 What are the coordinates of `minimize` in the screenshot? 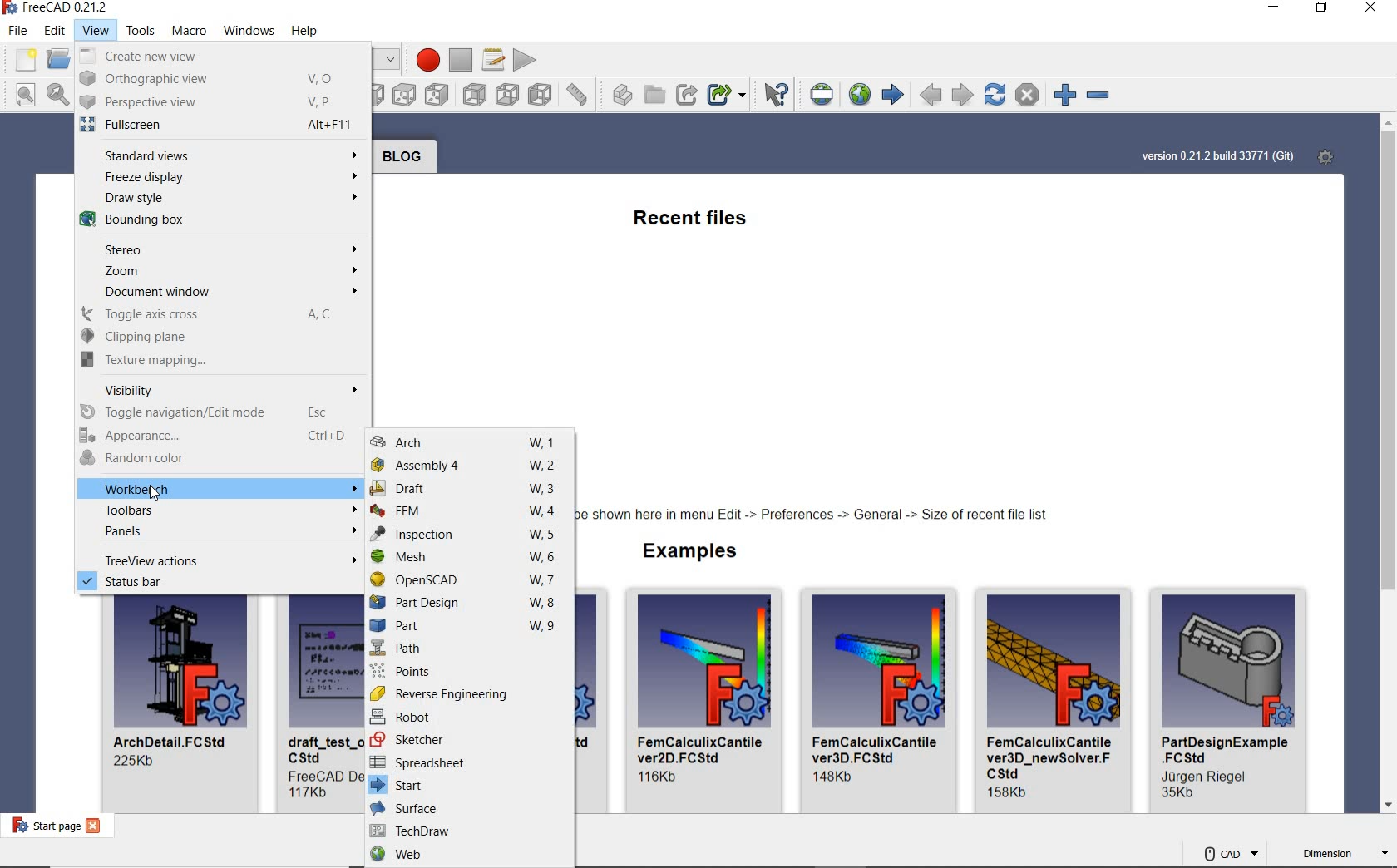 It's located at (1272, 8).